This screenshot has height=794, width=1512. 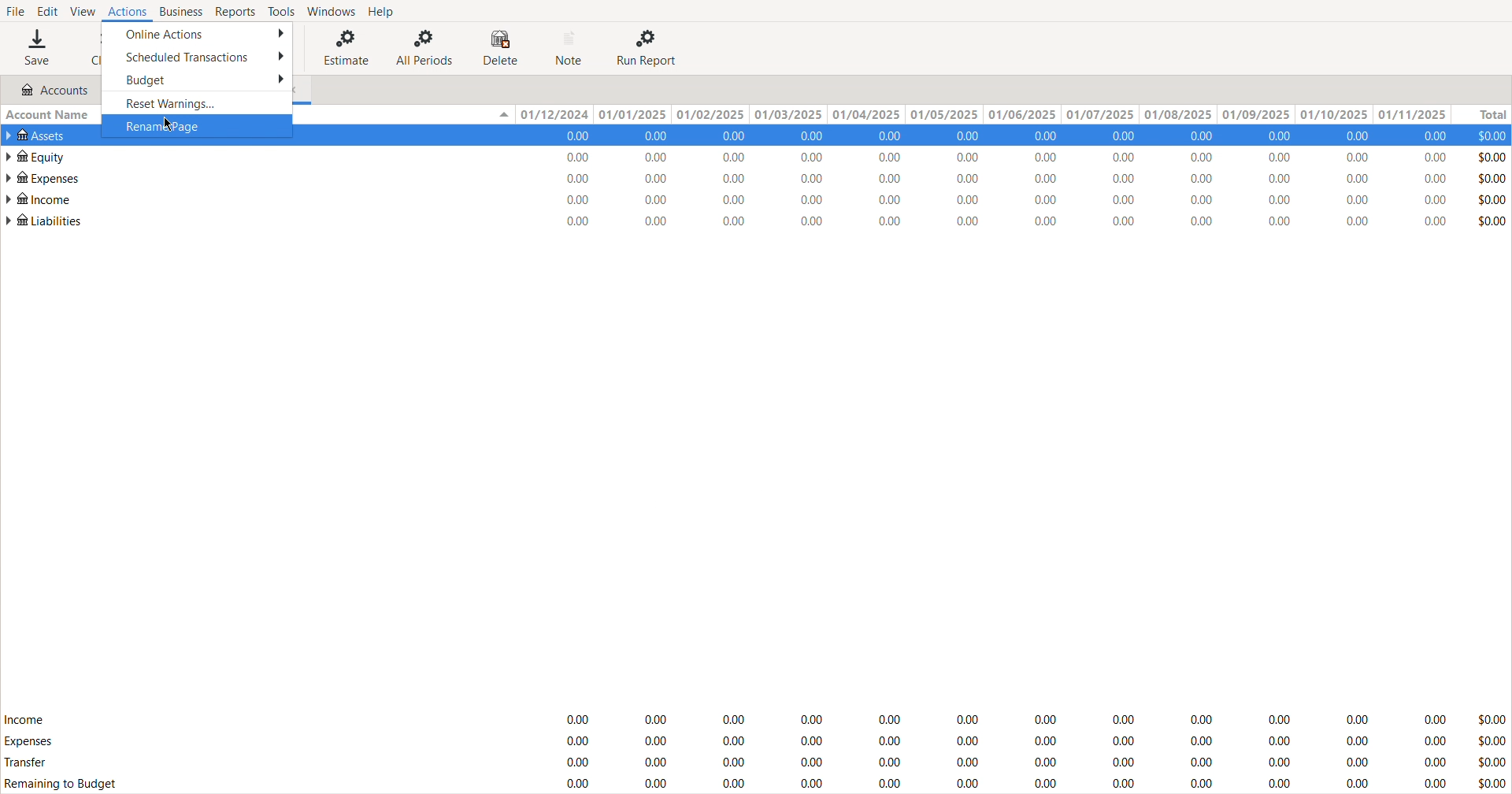 What do you see at coordinates (37, 47) in the screenshot?
I see `Save` at bounding box center [37, 47].